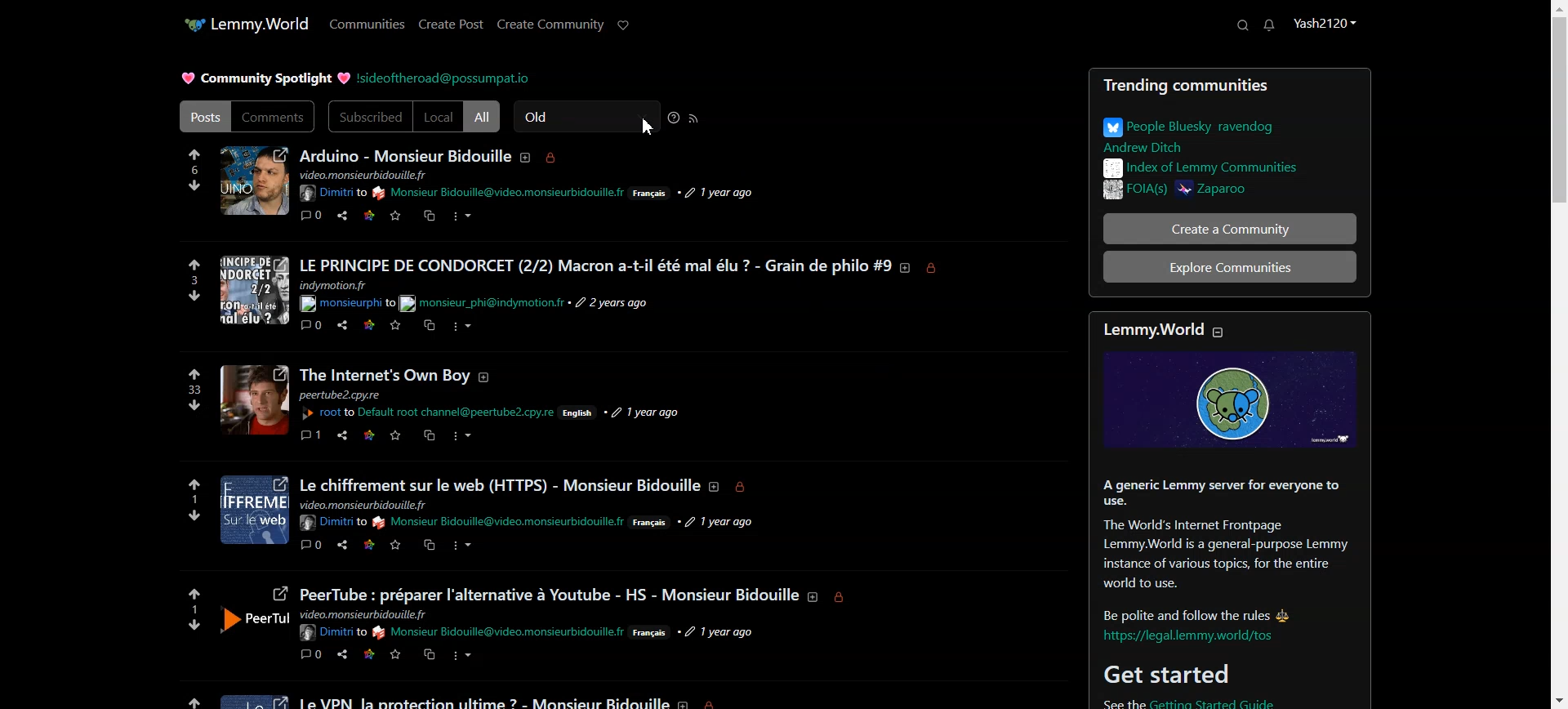 The width and height of the screenshot is (1568, 709). What do you see at coordinates (585, 117) in the screenshot?
I see `Old` at bounding box center [585, 117].